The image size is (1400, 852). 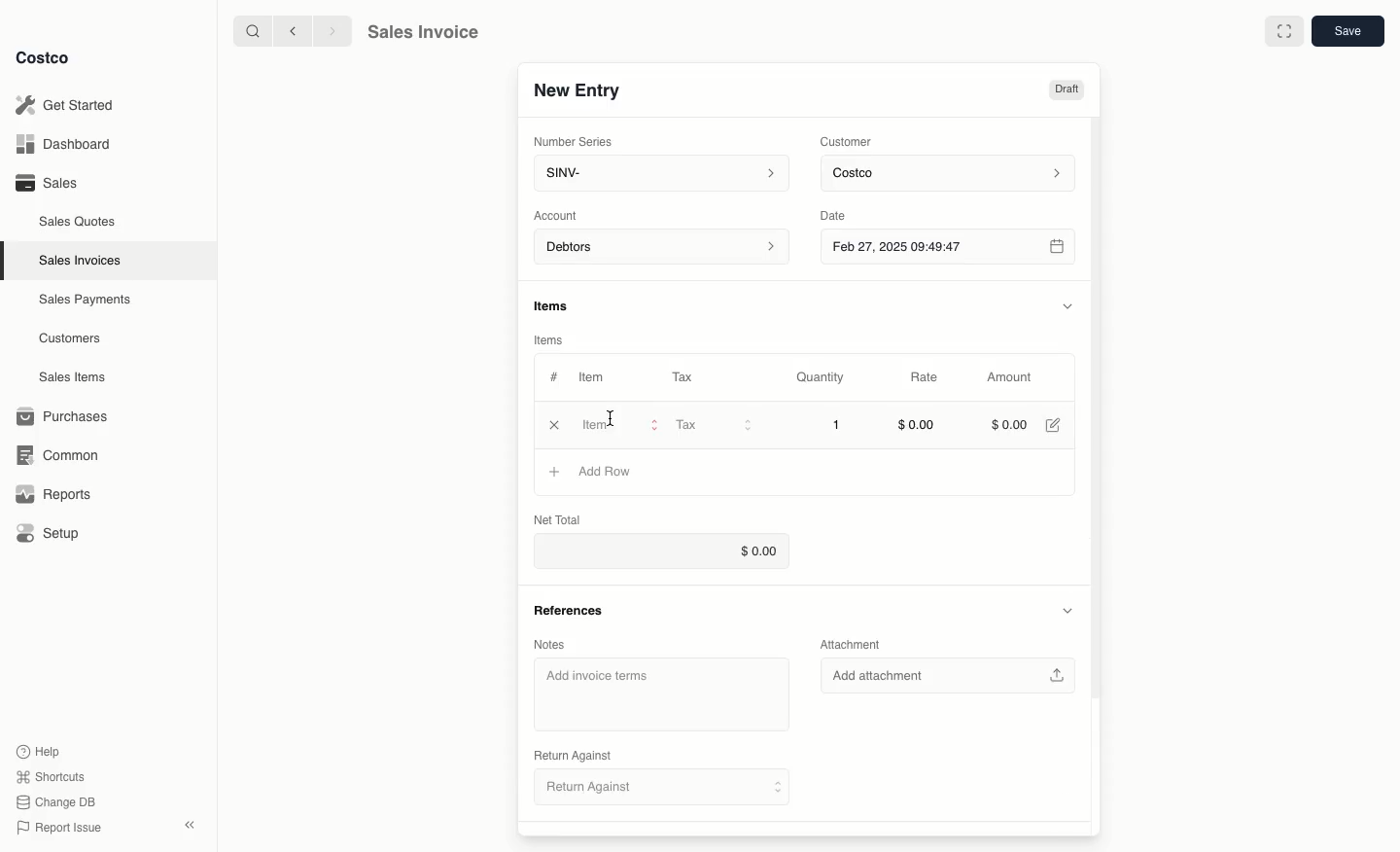 What do you see at coordinates (1067, 90) in the screenshot?
I see `Draft` at bounding box center [1067, 90].